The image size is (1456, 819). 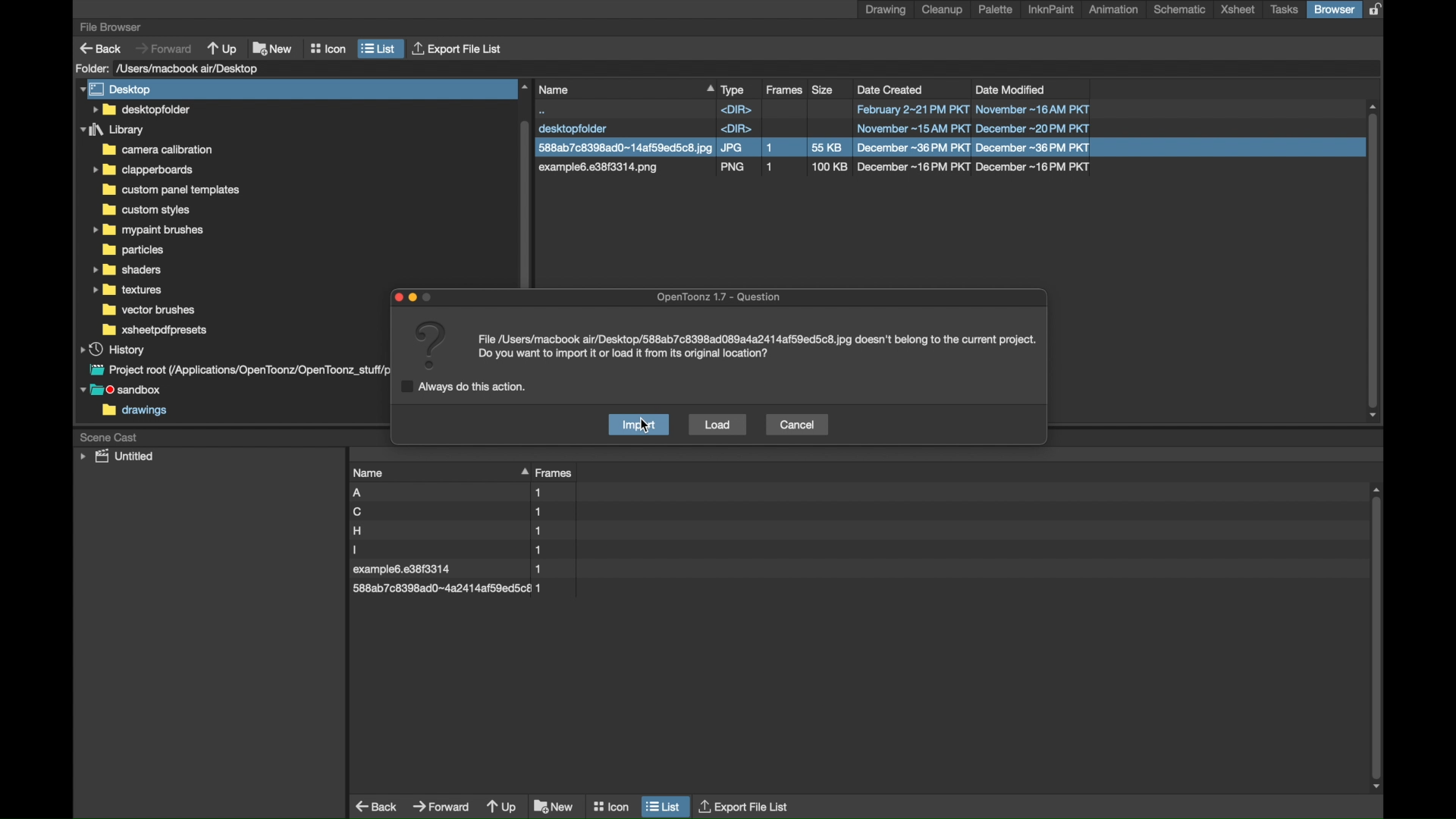 I want to click on size, so click(x=824, y=89).